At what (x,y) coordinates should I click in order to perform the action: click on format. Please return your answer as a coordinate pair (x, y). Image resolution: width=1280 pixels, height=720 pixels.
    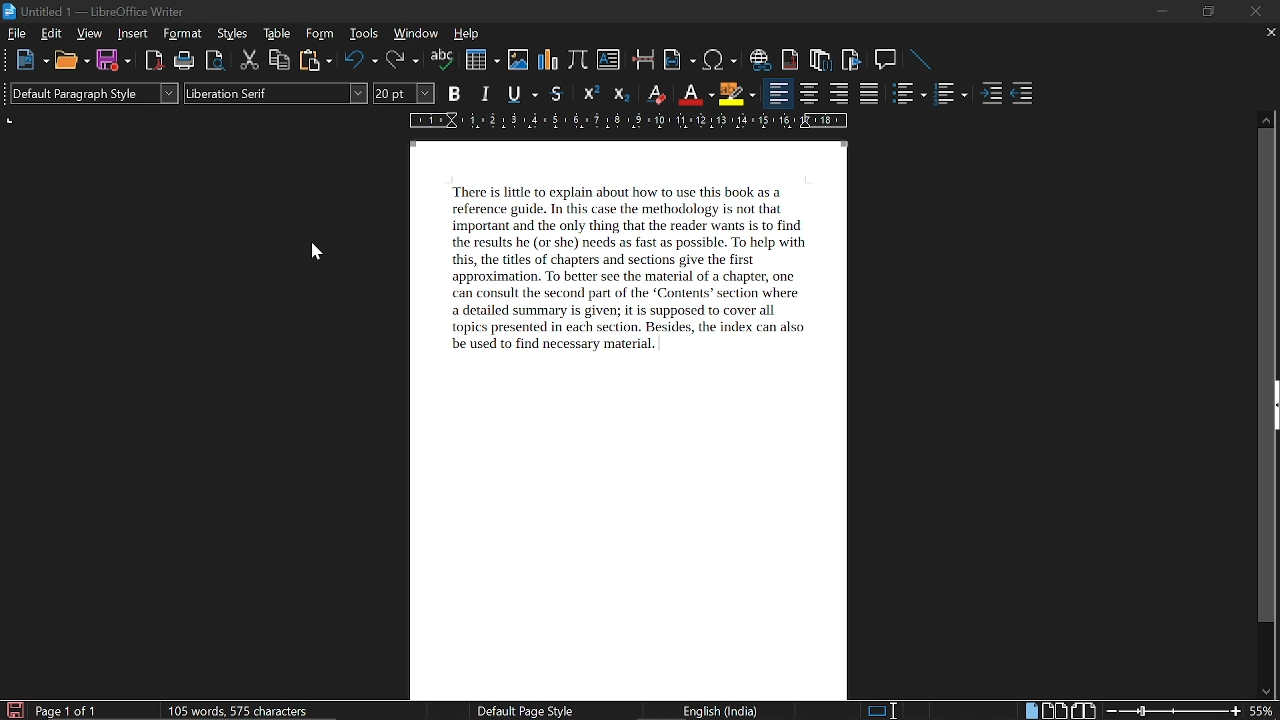
    Looking at the image, I should click on (183, 33).